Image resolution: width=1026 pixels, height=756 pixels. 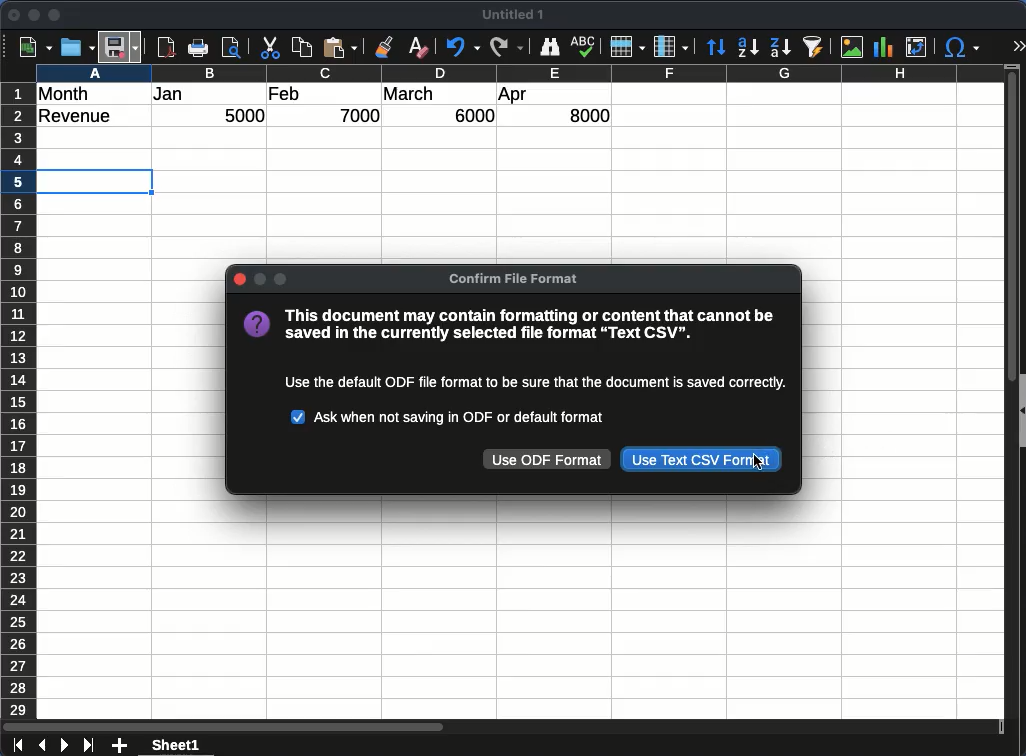 What do you see at coordinates (388, 47) in the screenshot?
I see `clone formatting` at bounding box center [388, 47].